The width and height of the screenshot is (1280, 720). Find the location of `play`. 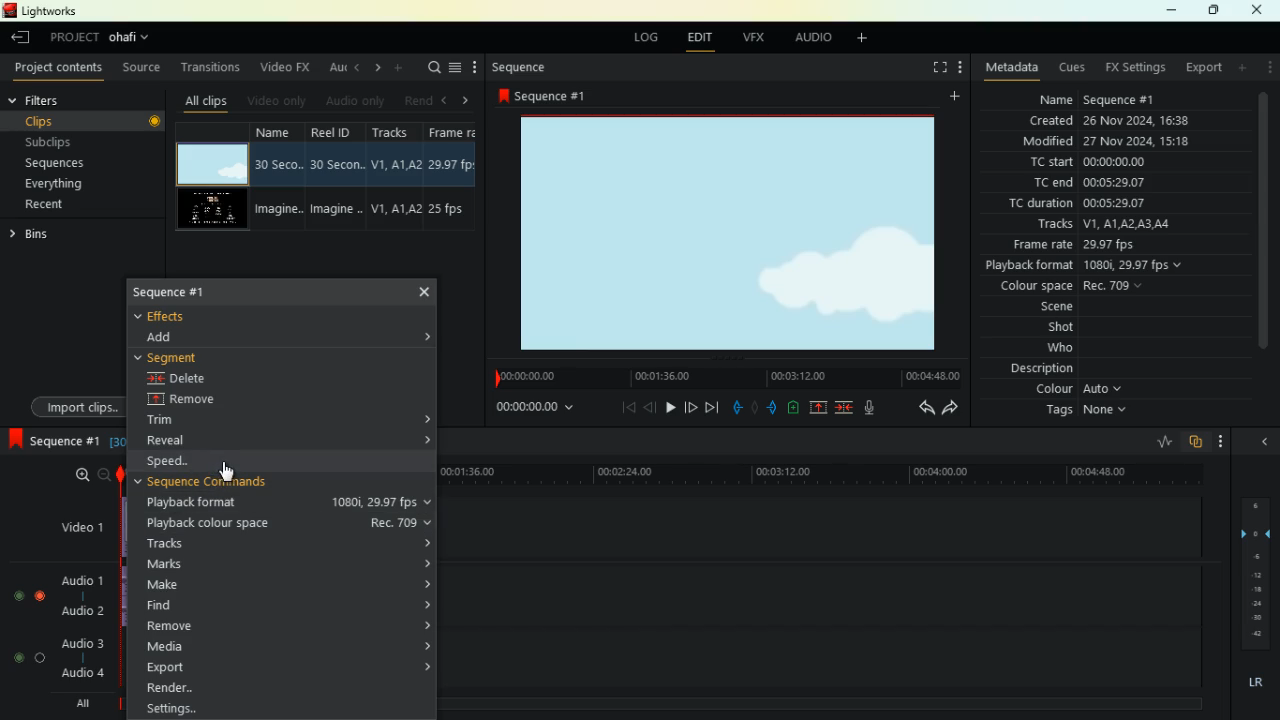

play is located at coordinates (670, 406).